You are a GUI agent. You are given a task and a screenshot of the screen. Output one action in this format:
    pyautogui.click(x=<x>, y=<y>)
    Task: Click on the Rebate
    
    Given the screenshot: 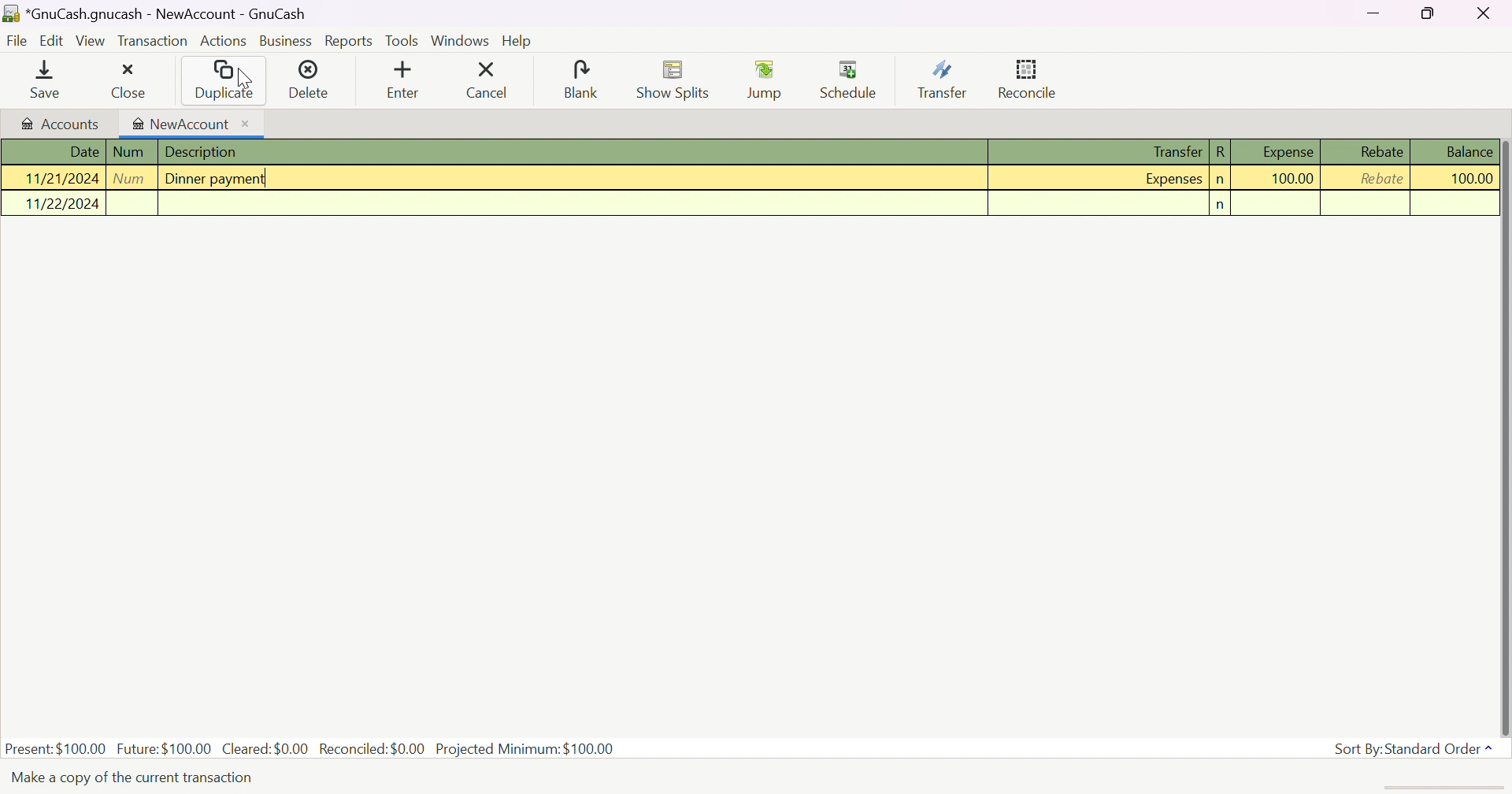 What is the action you would take?
    pyautogui.click(x=1382, y=178)
    